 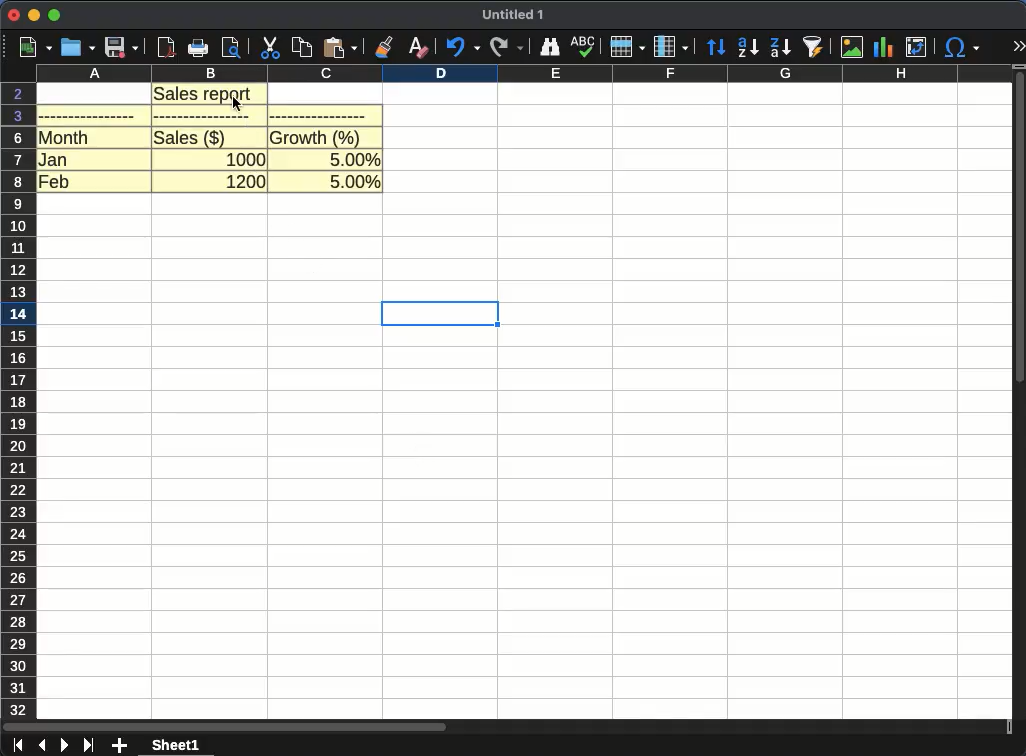 I want to click on 1200, so click(x=246, y=182).